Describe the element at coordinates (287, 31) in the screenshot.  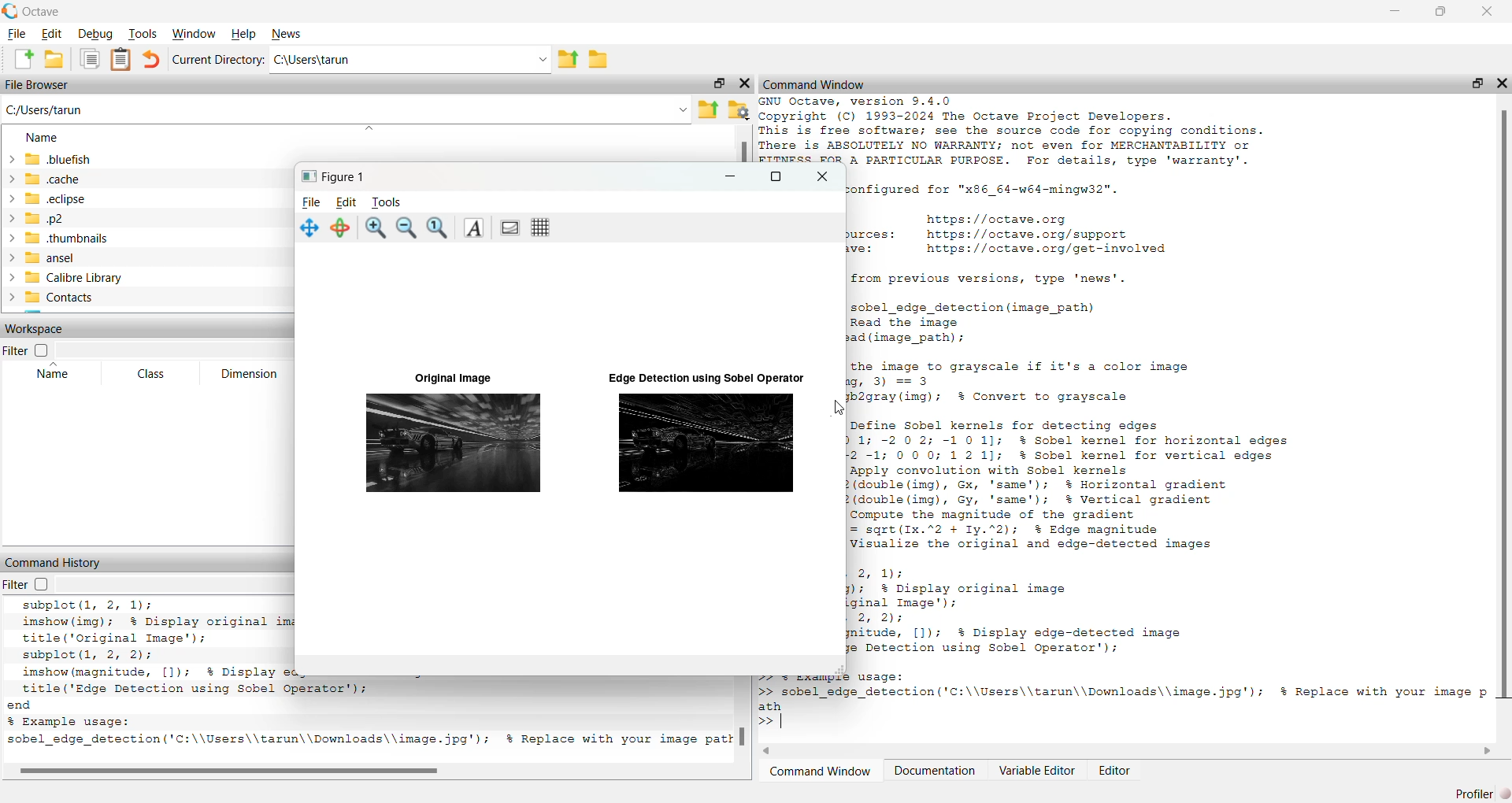
I see `News` at that location.